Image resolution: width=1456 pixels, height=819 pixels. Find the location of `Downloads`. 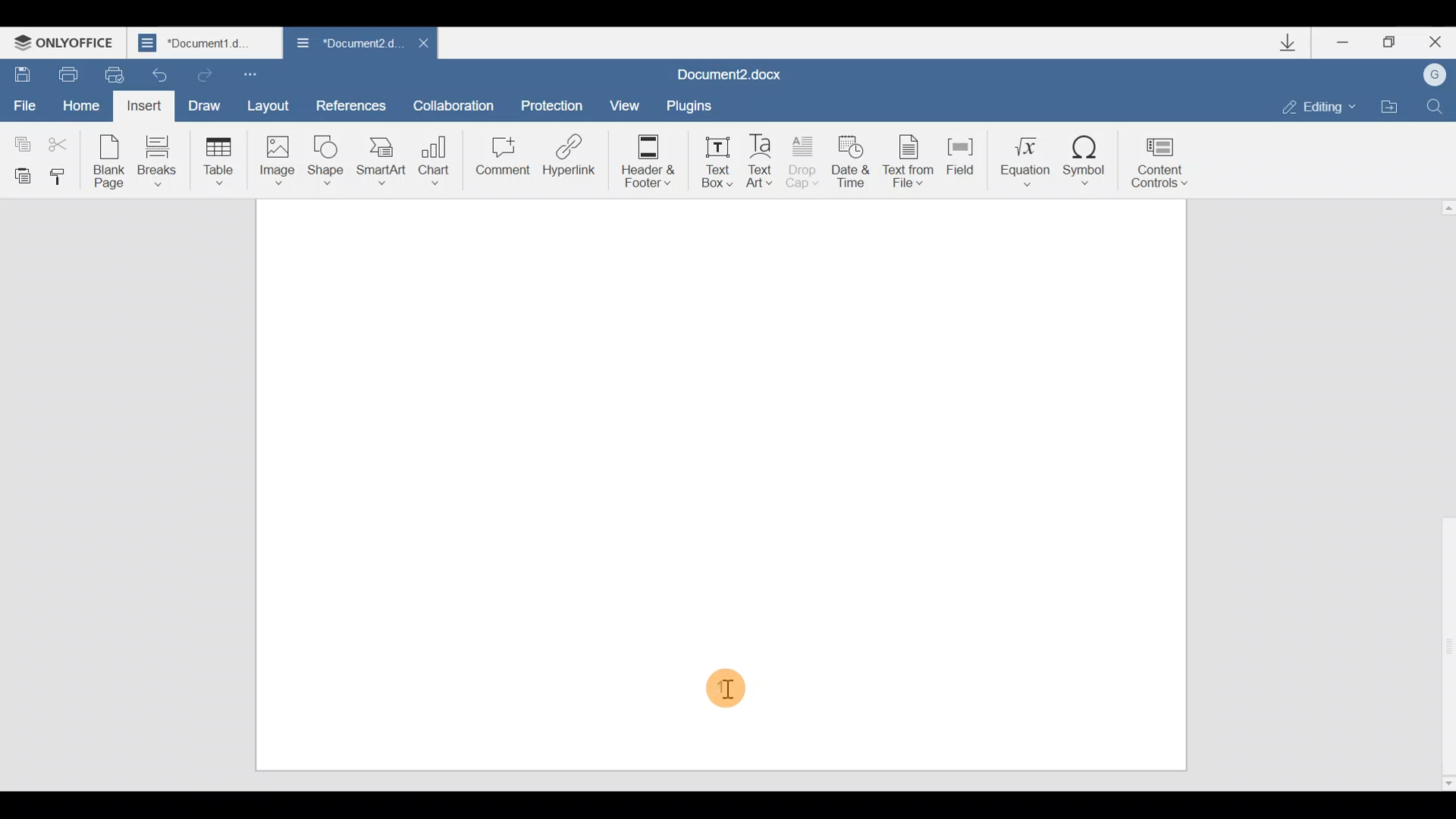

Downloads is located at coordinates (1288, 42).